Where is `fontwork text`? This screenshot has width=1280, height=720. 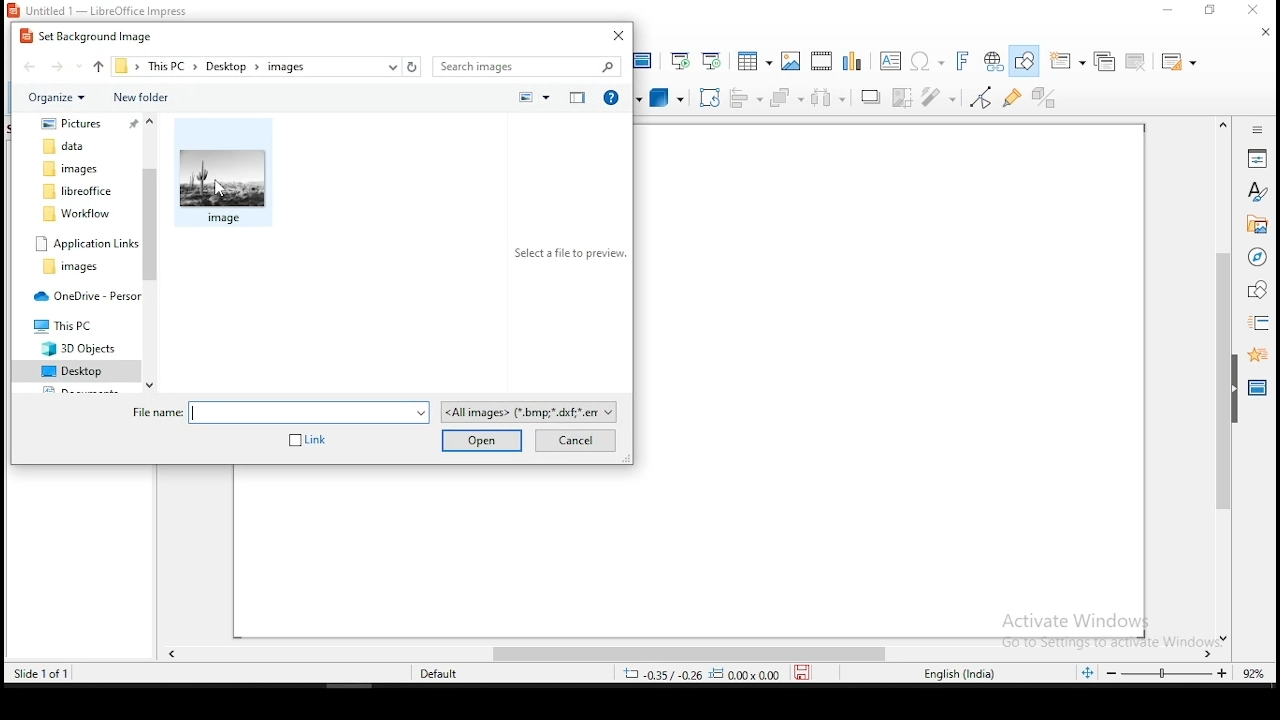
fontwork text is located at coordinates (961, 60).